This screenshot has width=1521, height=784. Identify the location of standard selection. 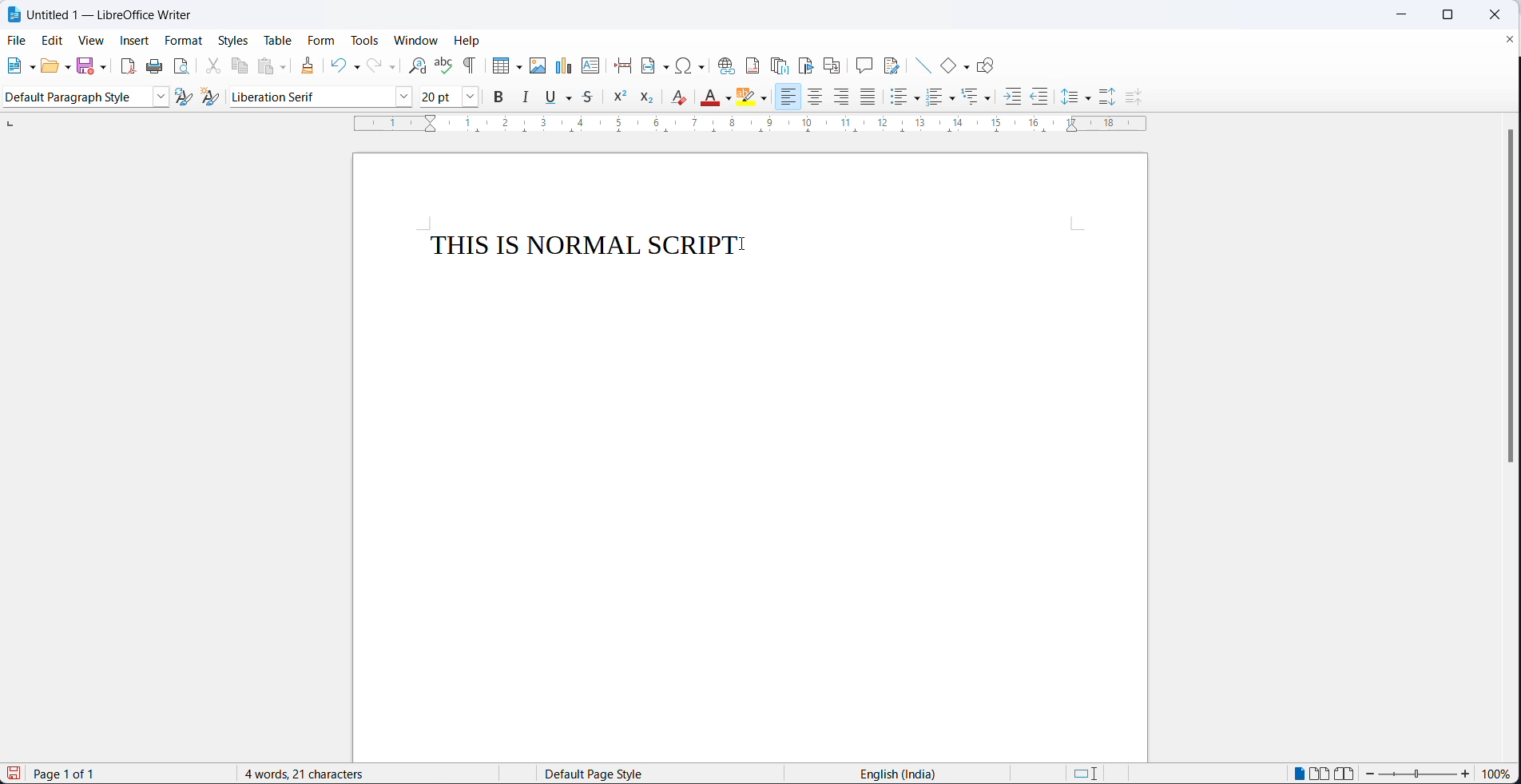
(1088, 774).